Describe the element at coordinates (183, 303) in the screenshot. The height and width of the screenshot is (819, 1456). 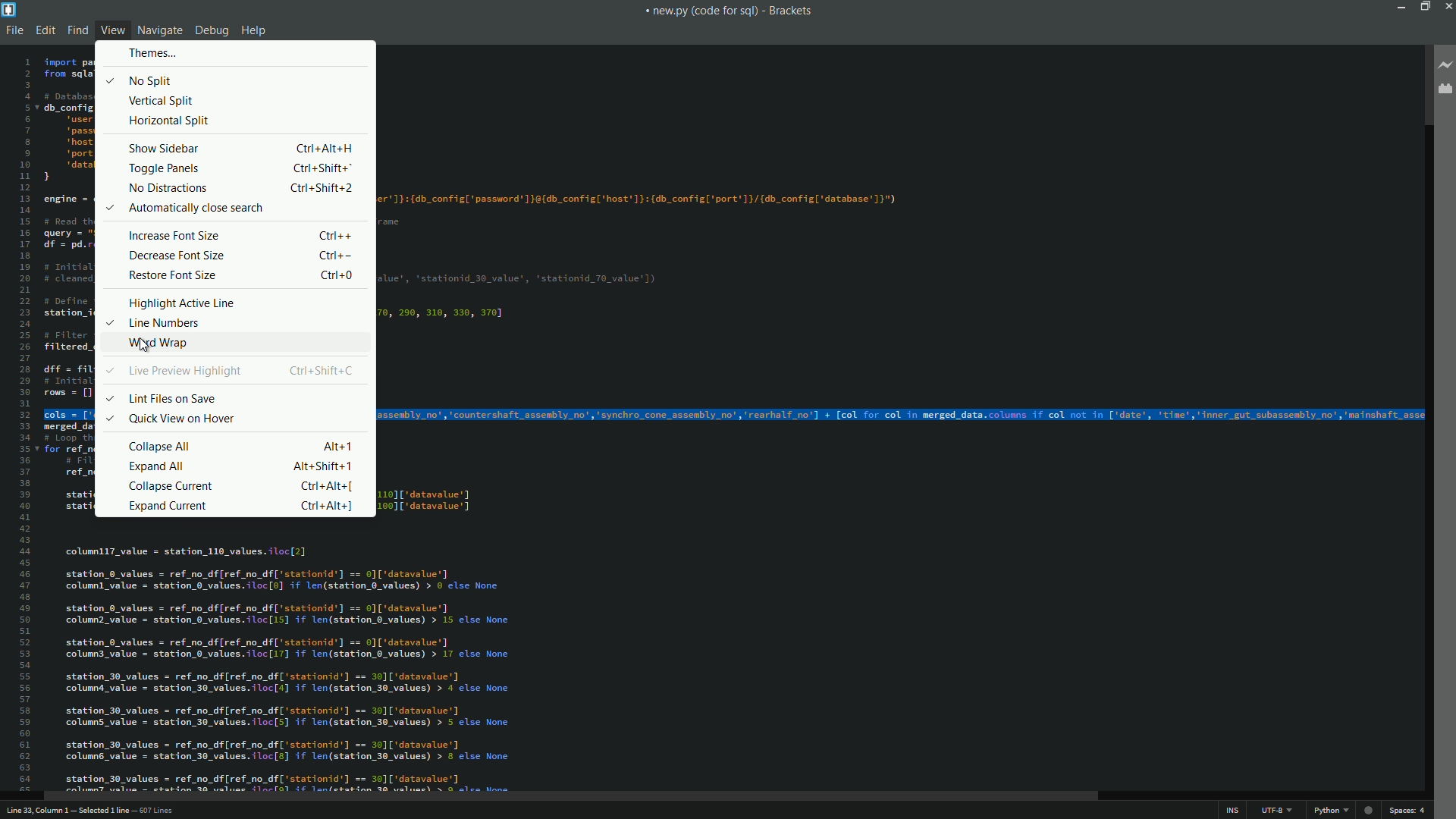
I see `highlight active line` at that location.